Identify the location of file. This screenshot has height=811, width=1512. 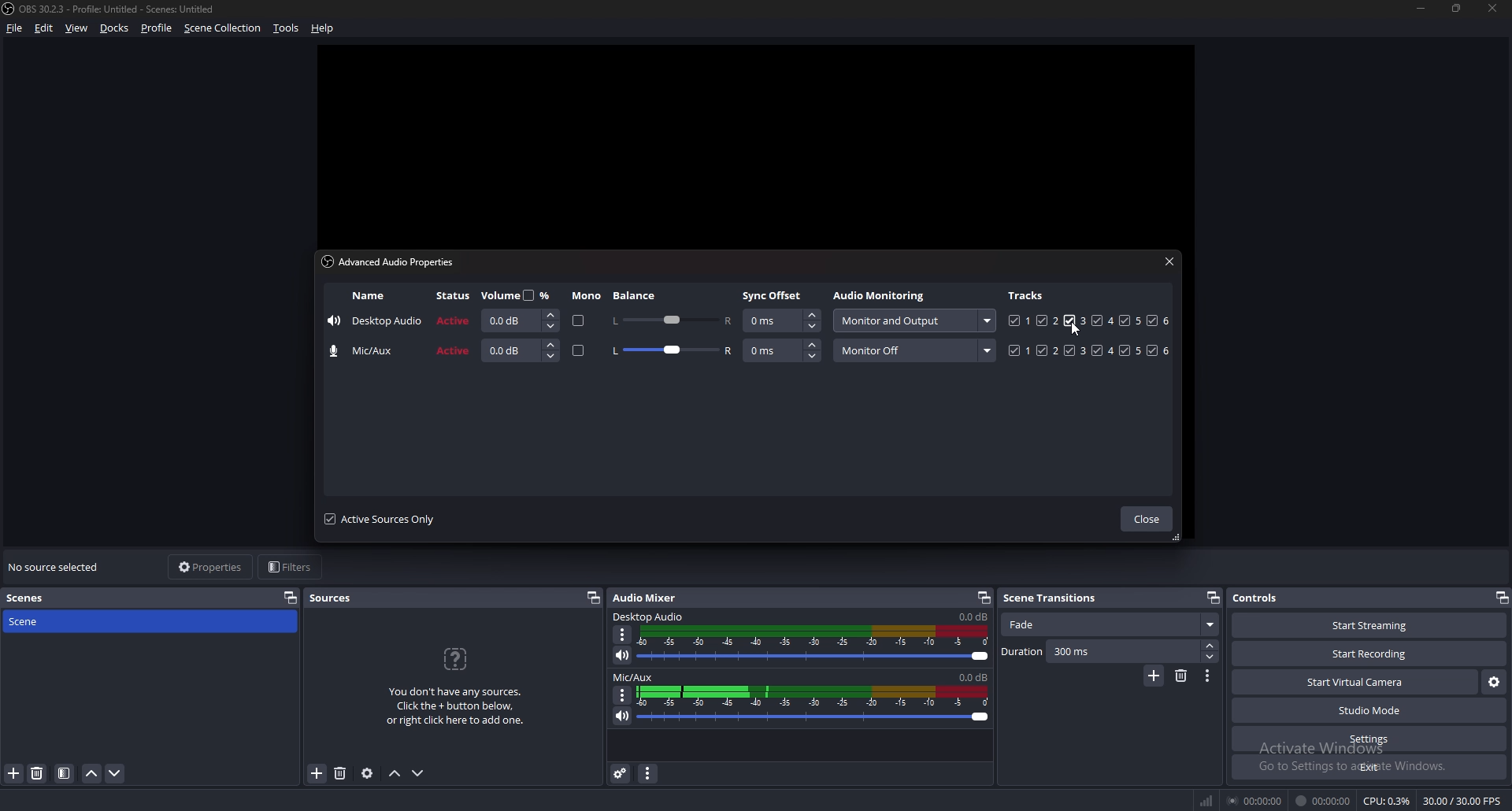
(16, 28).